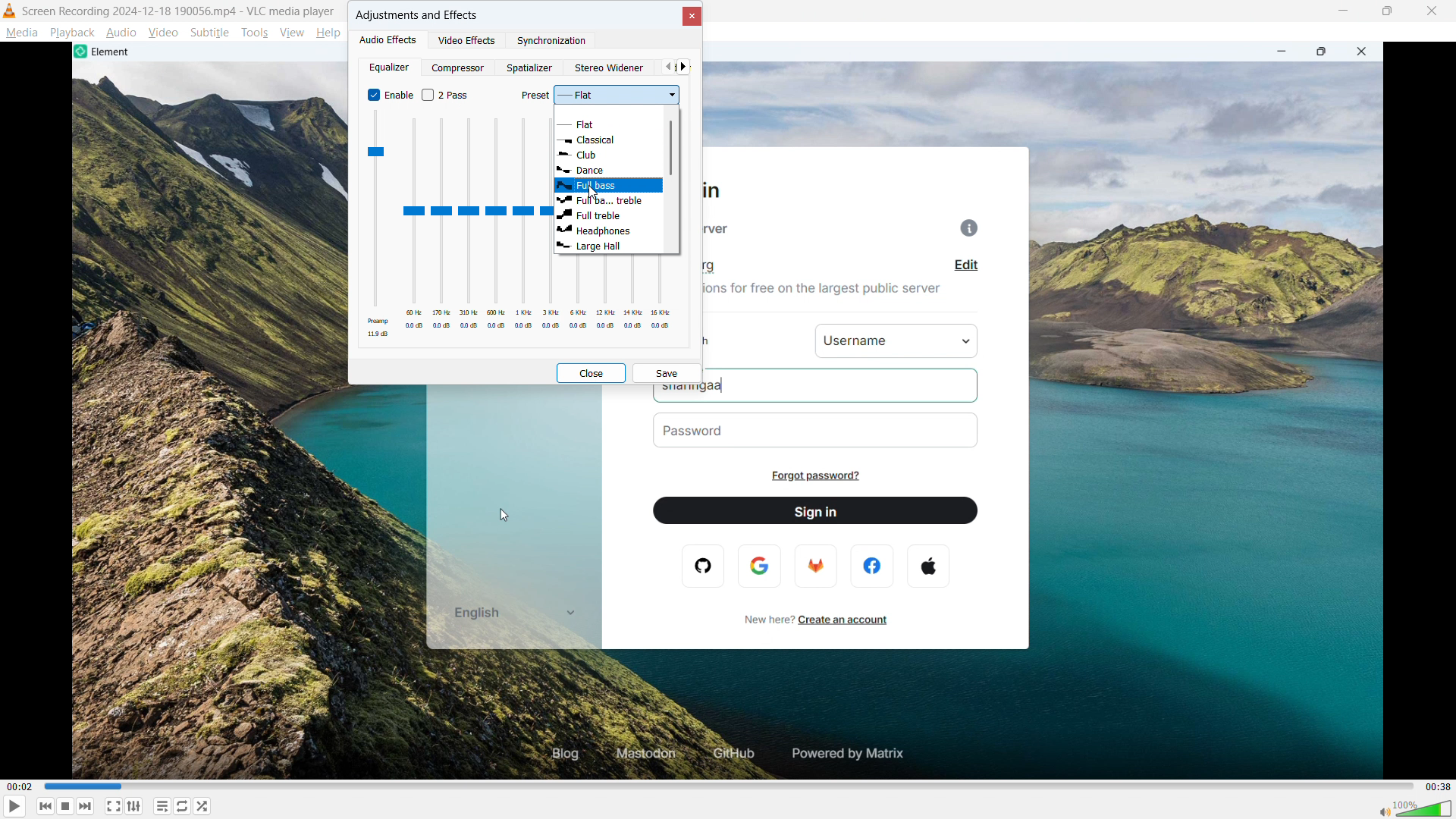 Image resolution: width=1456 pixels, height=819 pixels. What do you see at coordinates (443, 225) in the screenshot?
I see `Adjust 170 Hertz` at bounding box center [443, 225].